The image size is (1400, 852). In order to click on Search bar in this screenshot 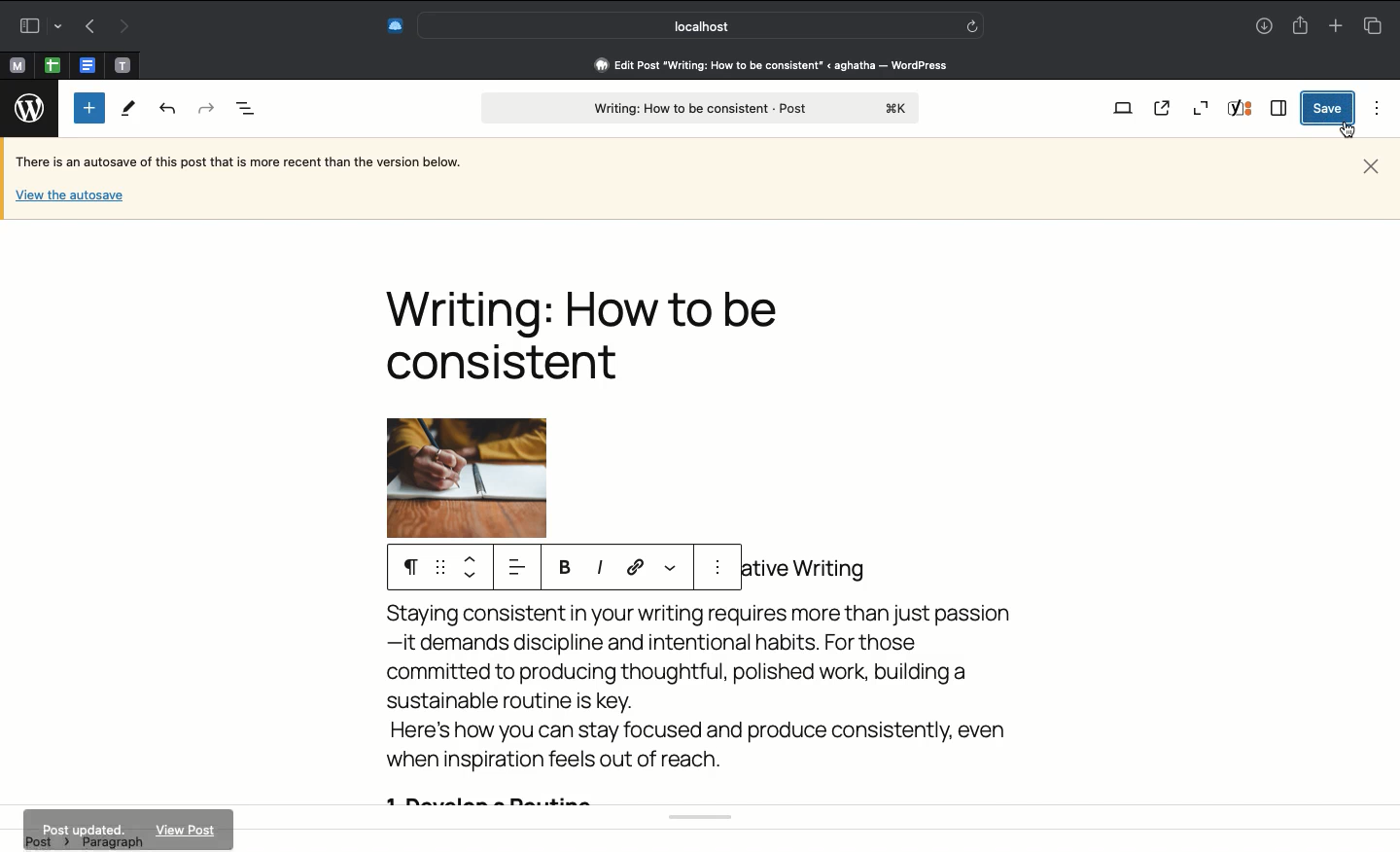, I will do `click(701, 25)`.